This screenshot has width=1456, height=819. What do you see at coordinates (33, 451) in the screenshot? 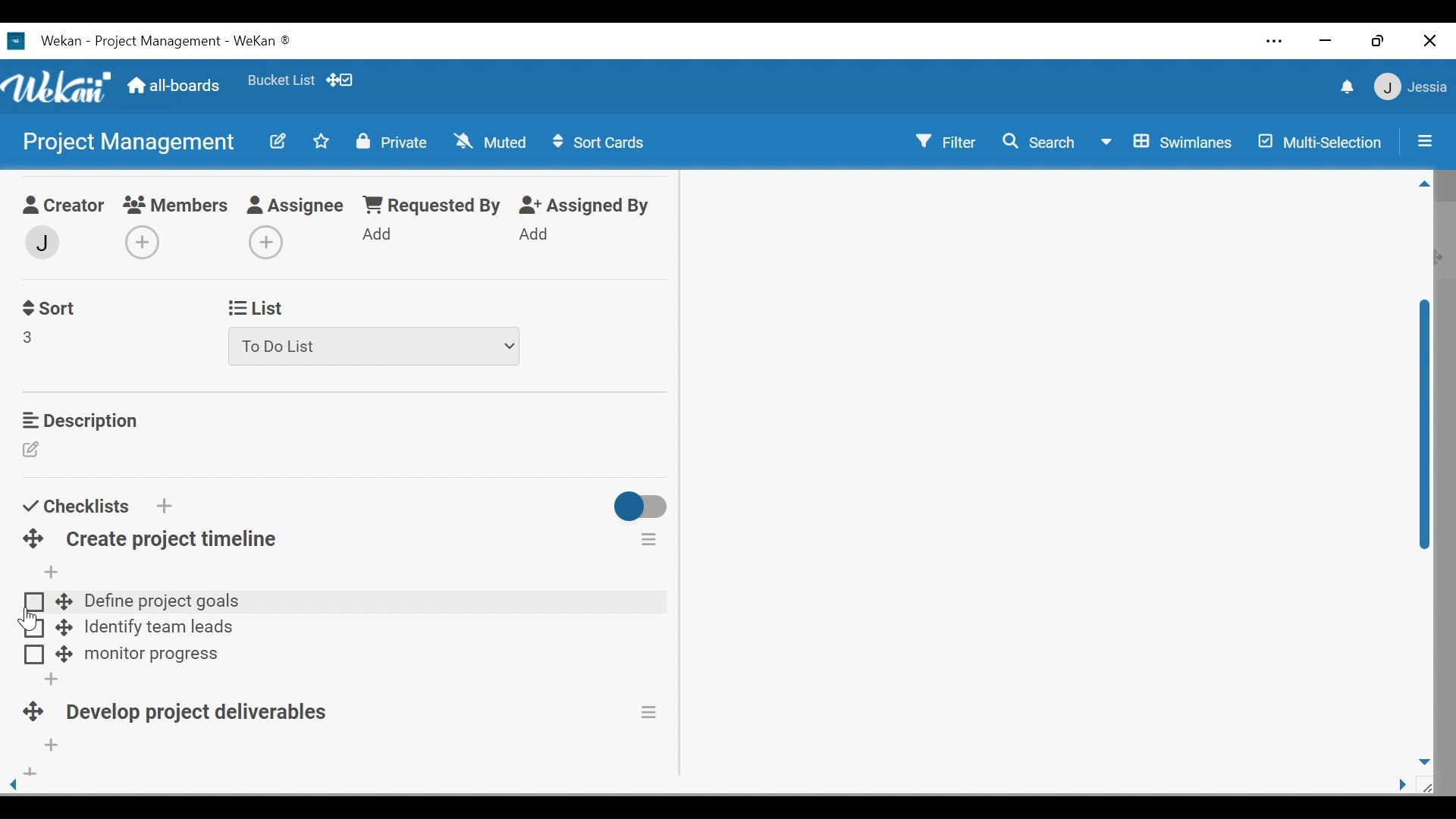
I see `Edit` at bounding box center [33, 451].